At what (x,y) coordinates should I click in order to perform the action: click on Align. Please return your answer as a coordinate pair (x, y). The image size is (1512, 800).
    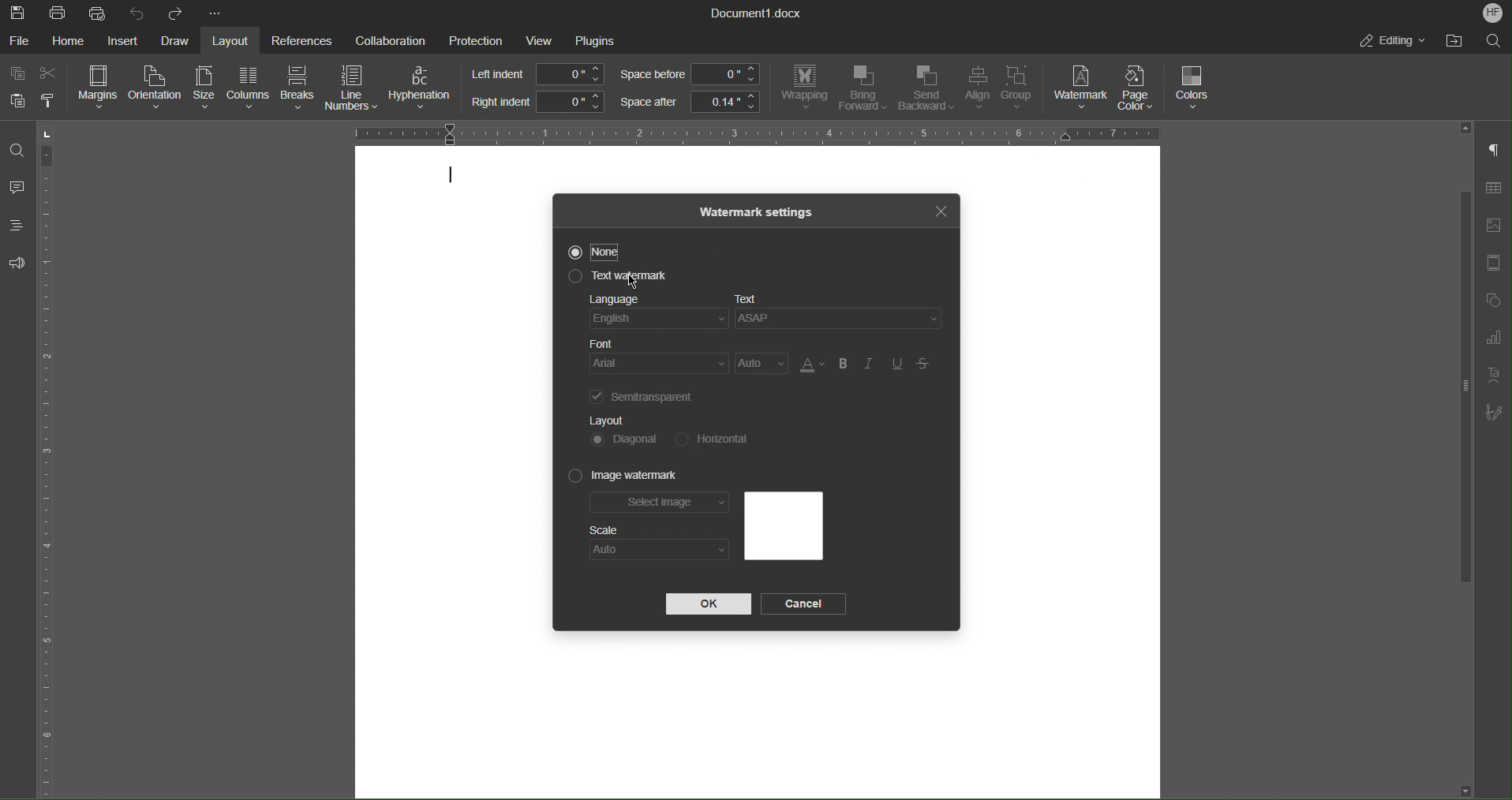
    Looking at the image, I should click on (976, 89).